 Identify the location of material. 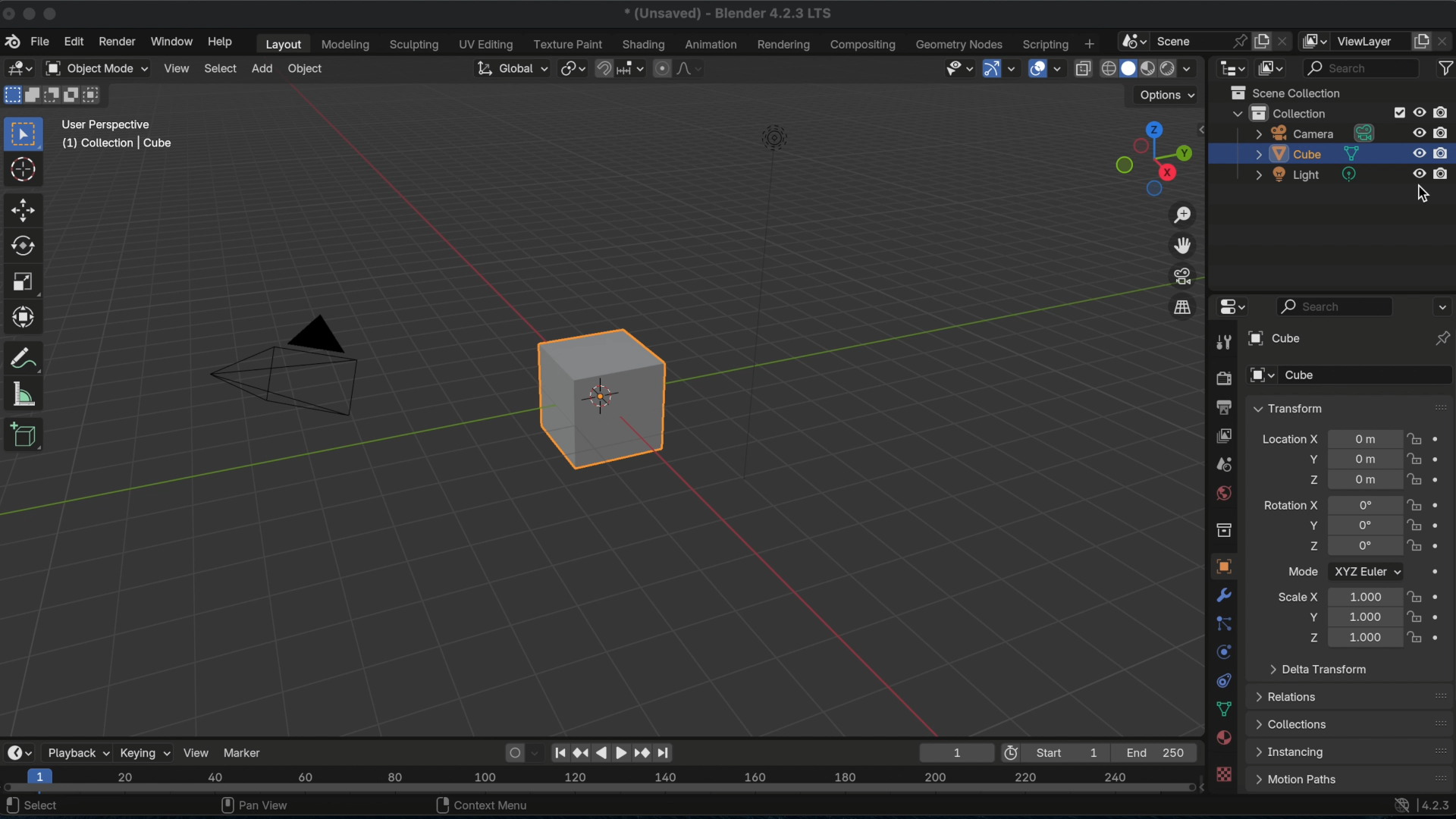
(1224, 736).